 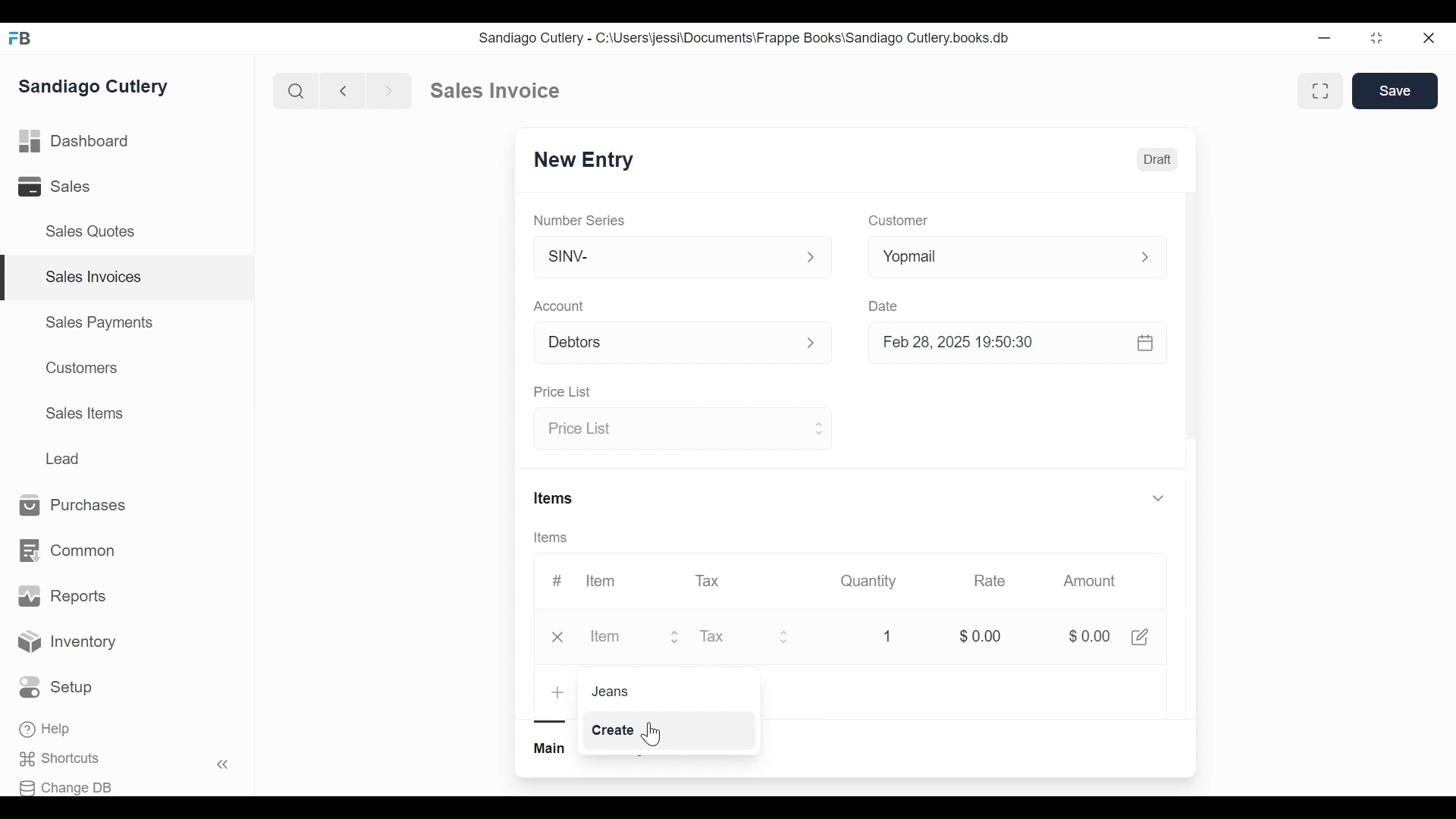 I want to click on Save , so click(x=1395, y=91).